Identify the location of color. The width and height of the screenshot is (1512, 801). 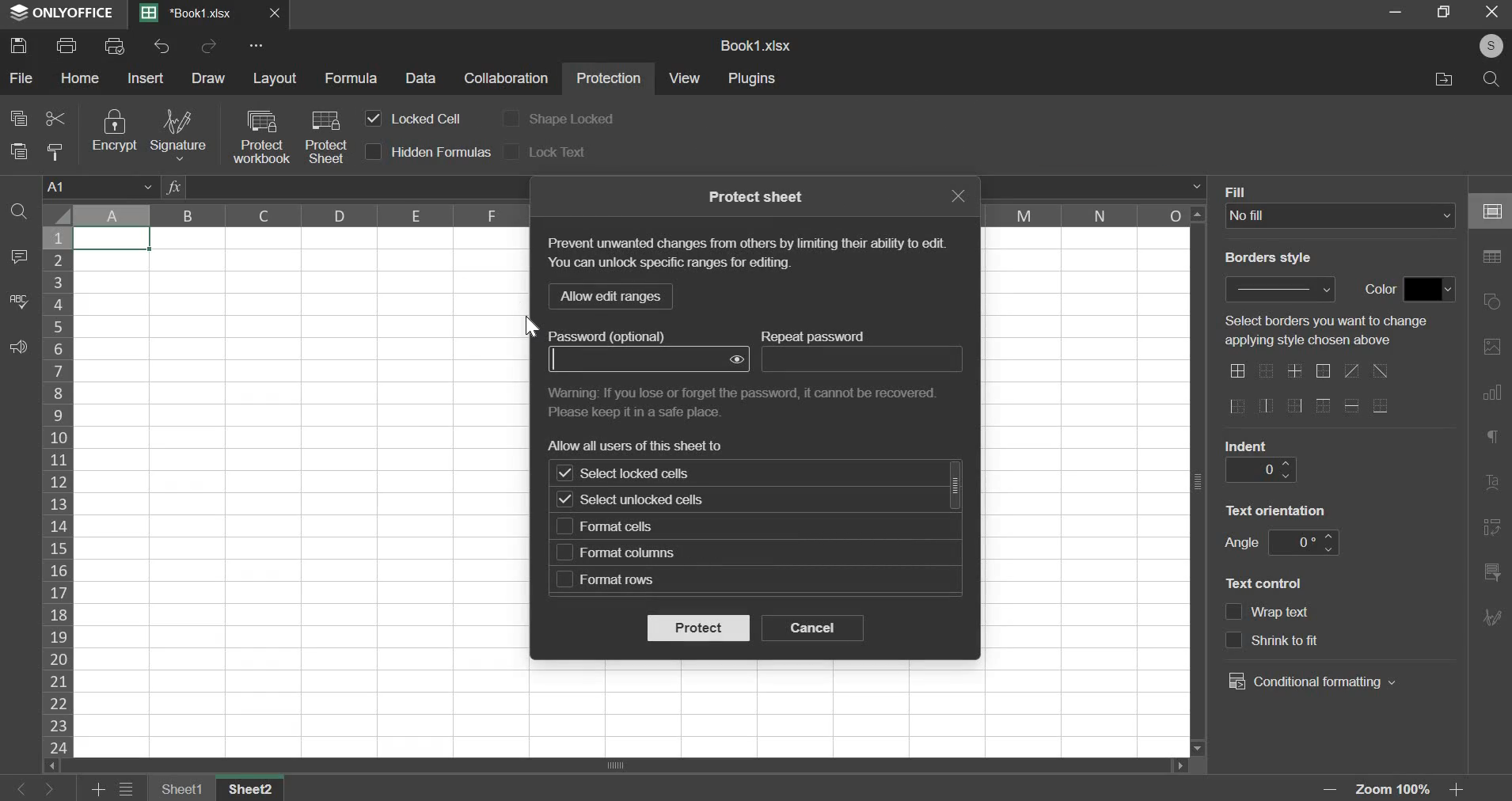
(1377, 290).